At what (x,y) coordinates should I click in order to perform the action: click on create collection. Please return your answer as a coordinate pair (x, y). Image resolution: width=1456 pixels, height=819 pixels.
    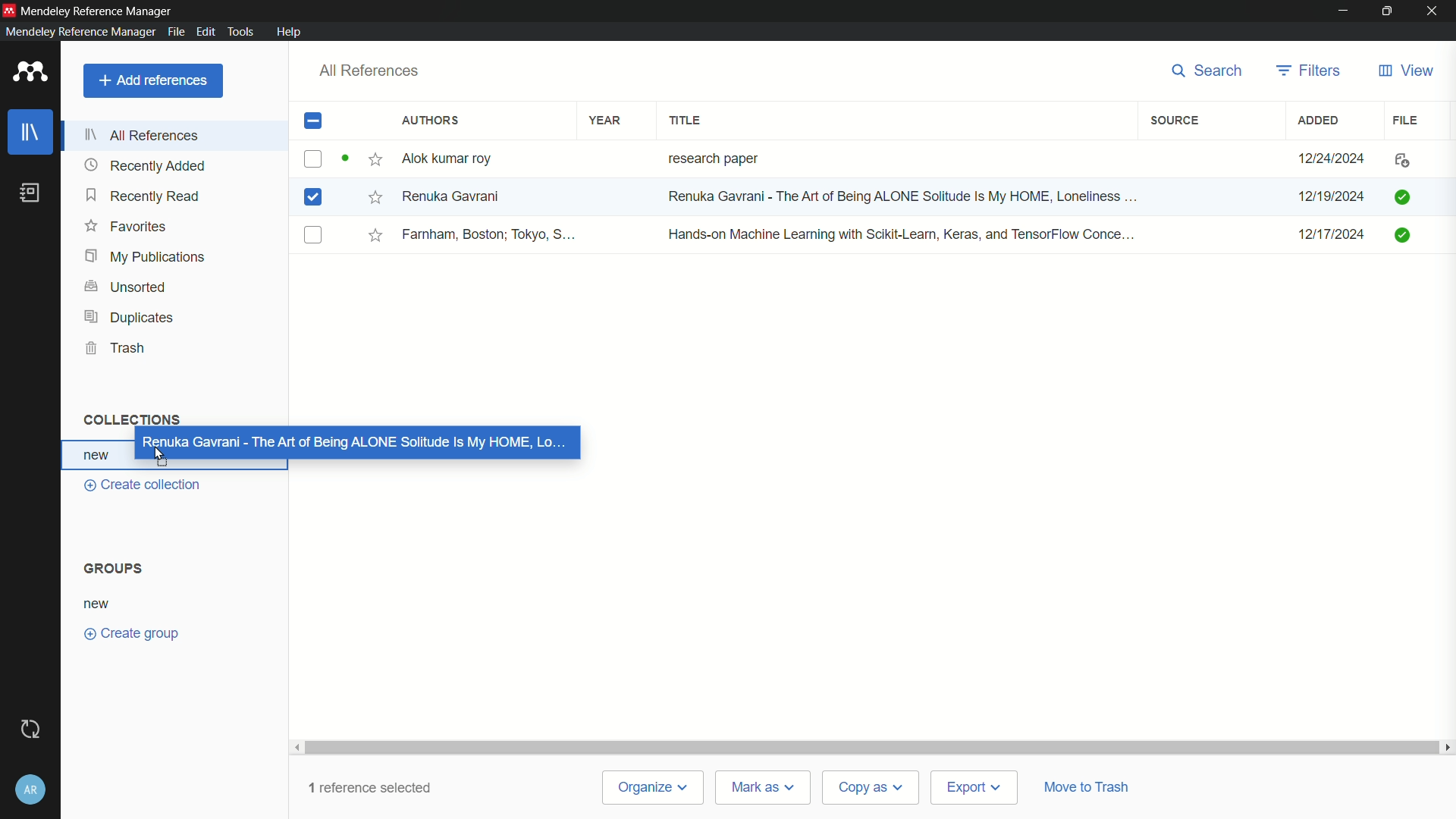
    Looking at the image, I should click on (142, 485).